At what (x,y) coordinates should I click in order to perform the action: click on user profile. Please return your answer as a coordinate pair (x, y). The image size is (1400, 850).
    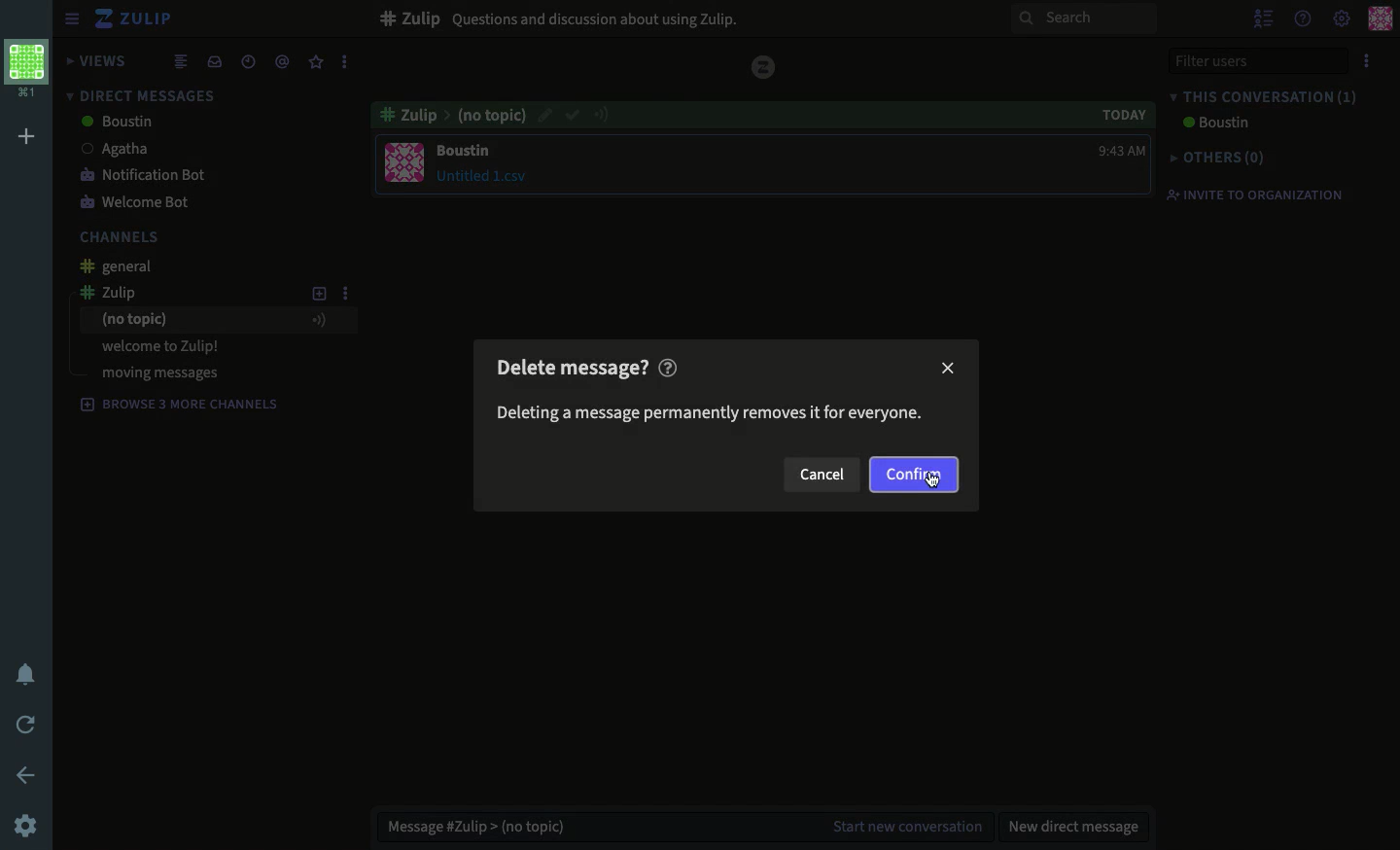
    Looking at the image, I should click on (1379, 18).